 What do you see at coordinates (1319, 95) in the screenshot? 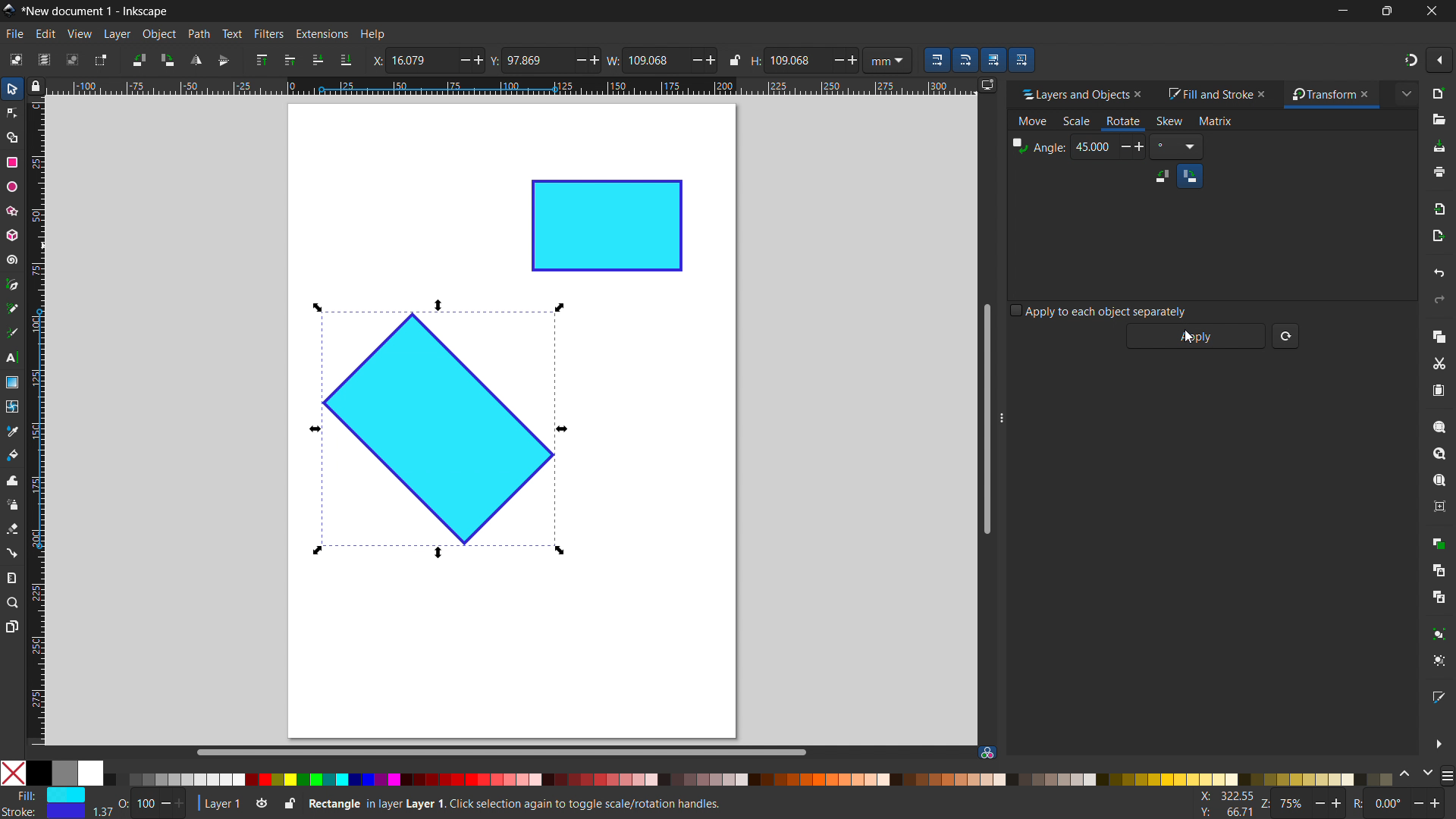
I see `transform` at bounding box center [1319, 95].